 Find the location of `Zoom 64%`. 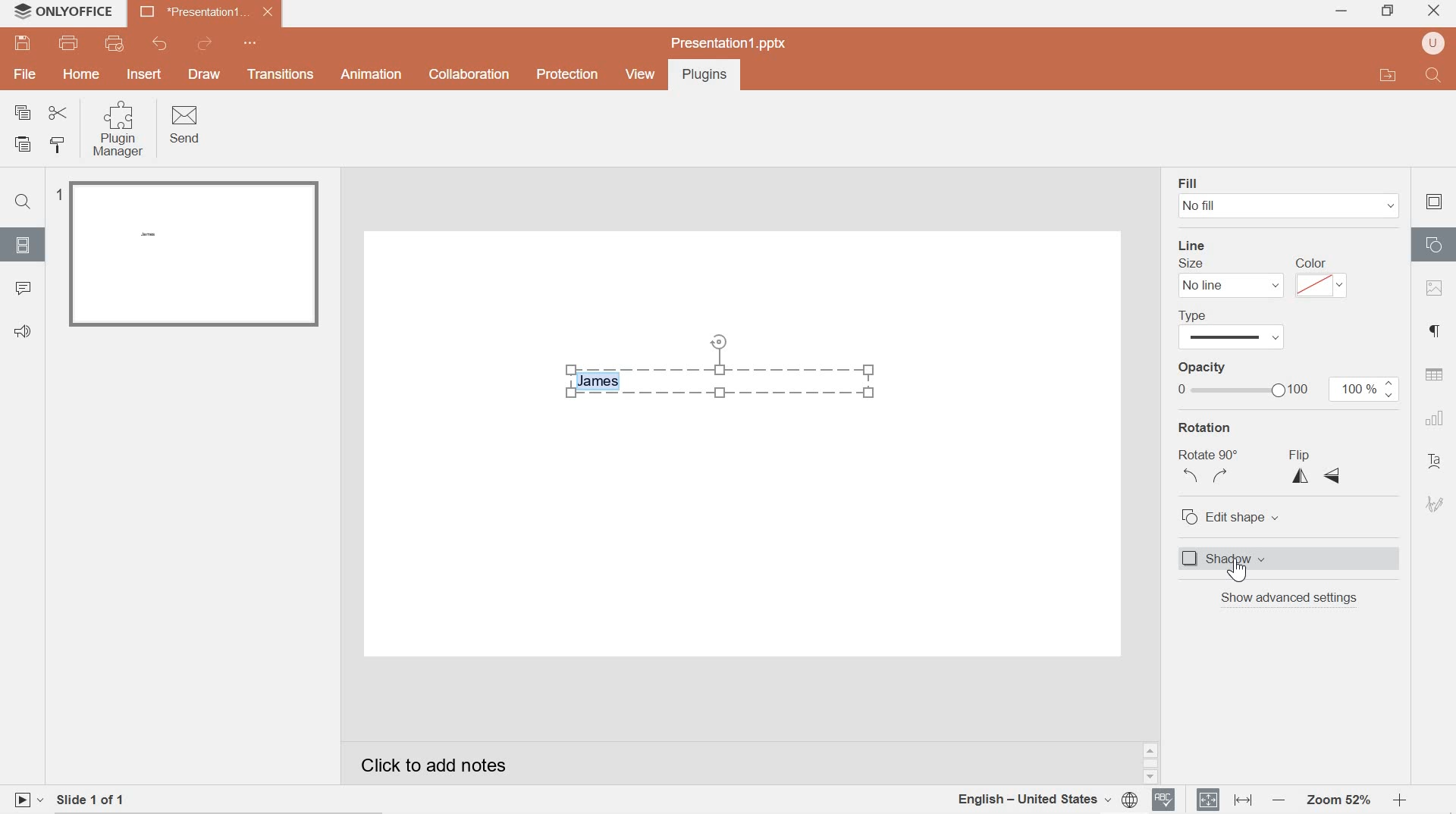

Zoom 64% is located at coordinates (1337, 800).